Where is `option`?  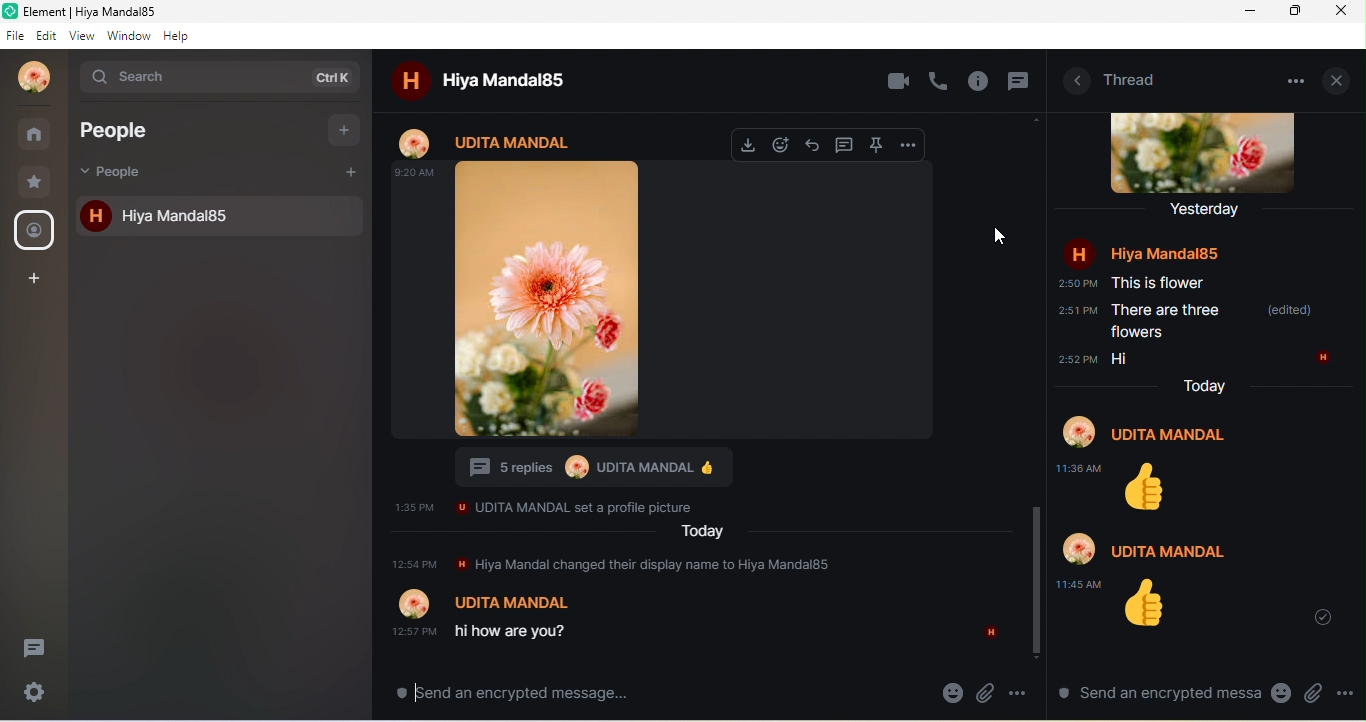 option is located at coordinates (912, 141).